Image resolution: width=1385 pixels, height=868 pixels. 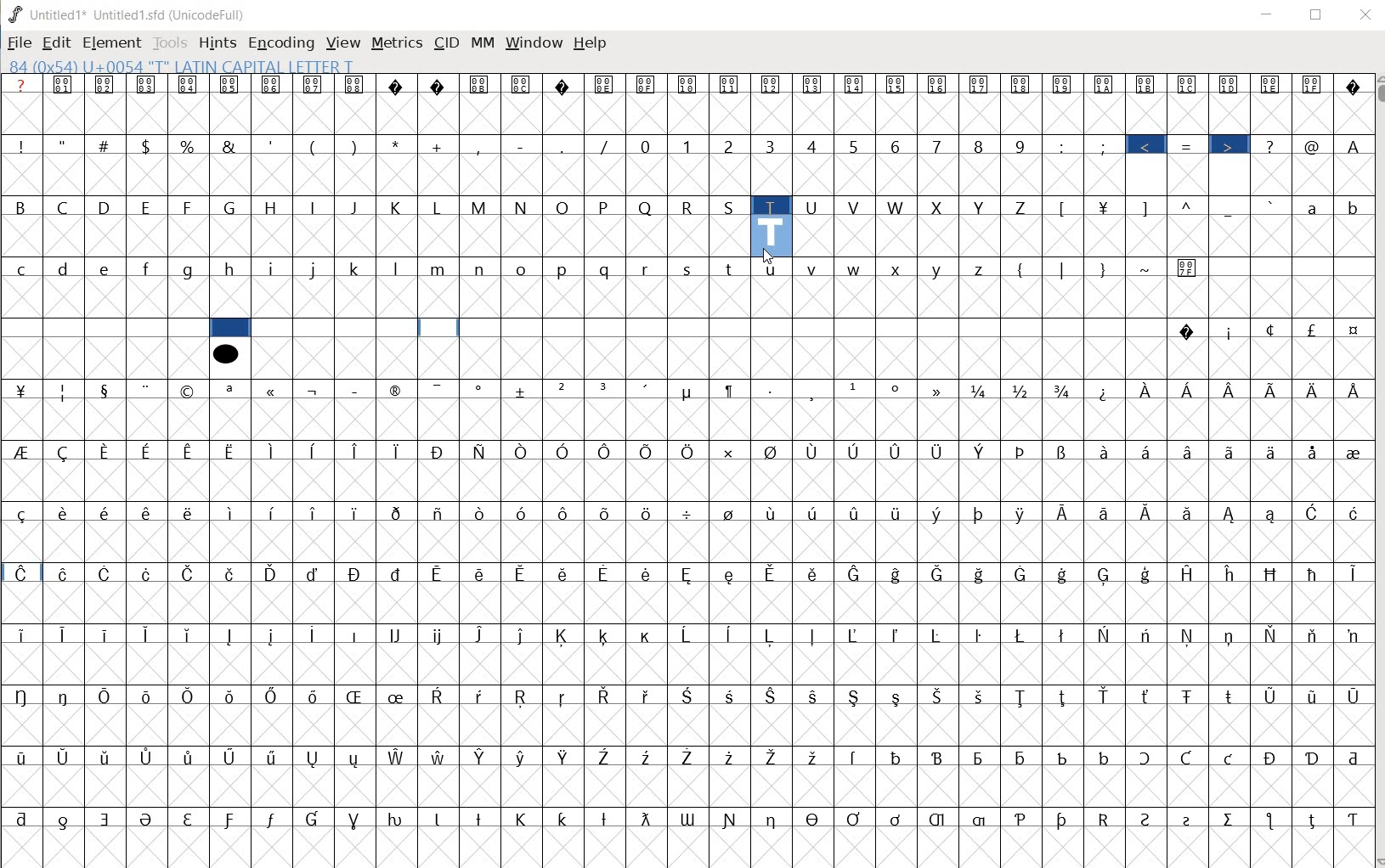 I want to click on Symbol, so click(x=315, y=84).